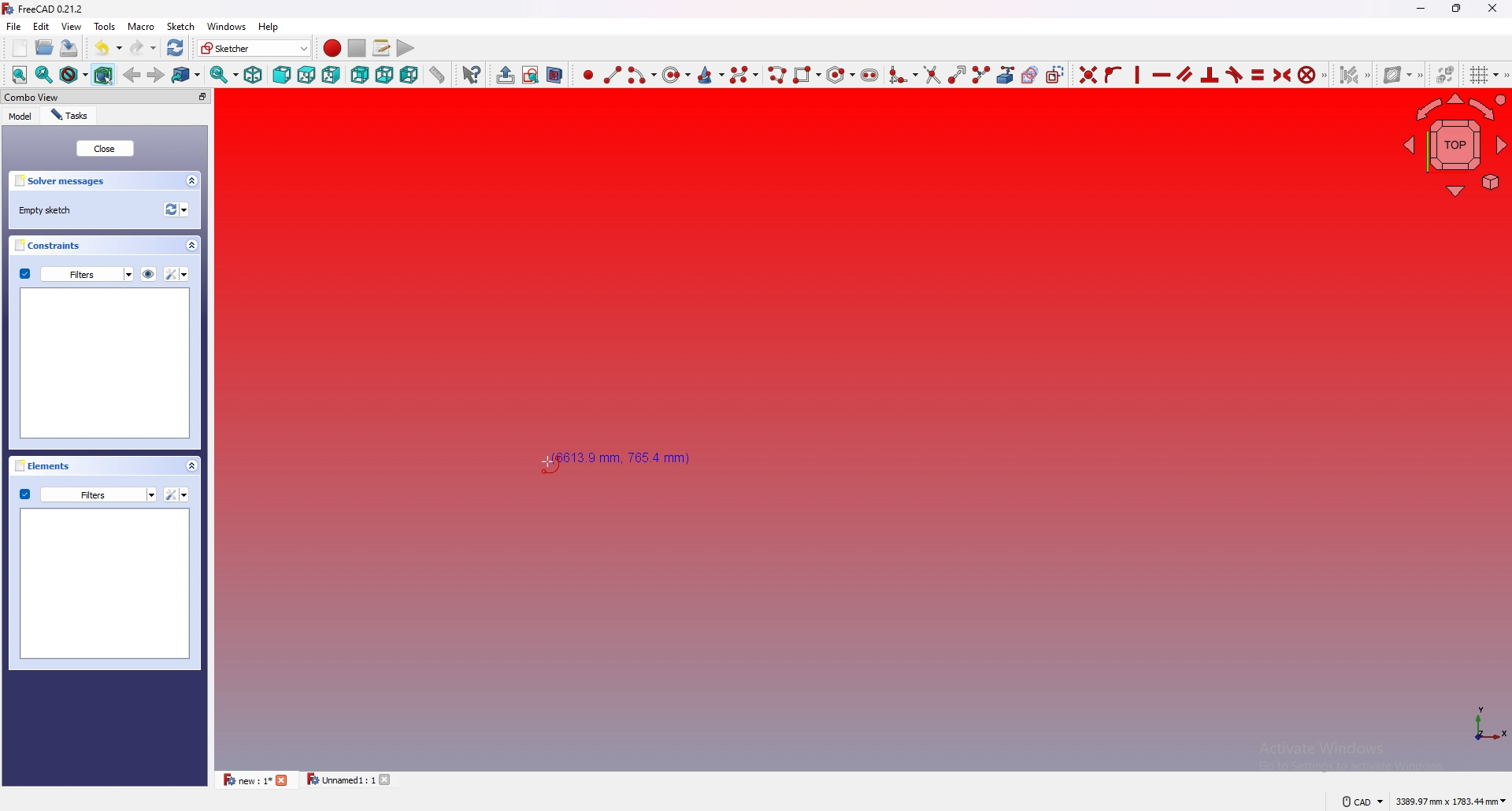  What do you see at coordinates (931, 74) in the screenshot?
I see `trim edge` at bounding box center [931, 74].